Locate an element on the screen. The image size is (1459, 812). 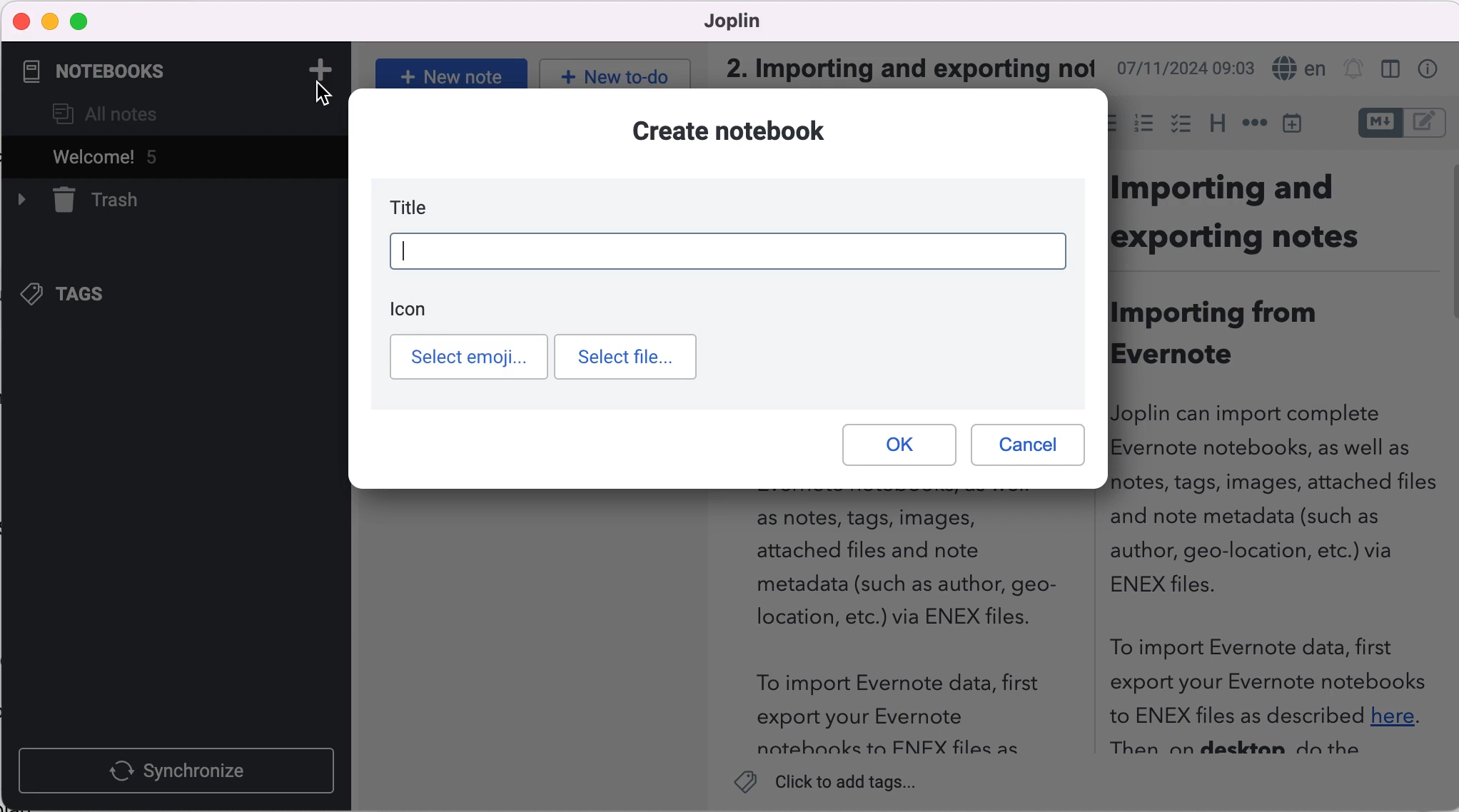
cursor is located at coordinates (323, 101).